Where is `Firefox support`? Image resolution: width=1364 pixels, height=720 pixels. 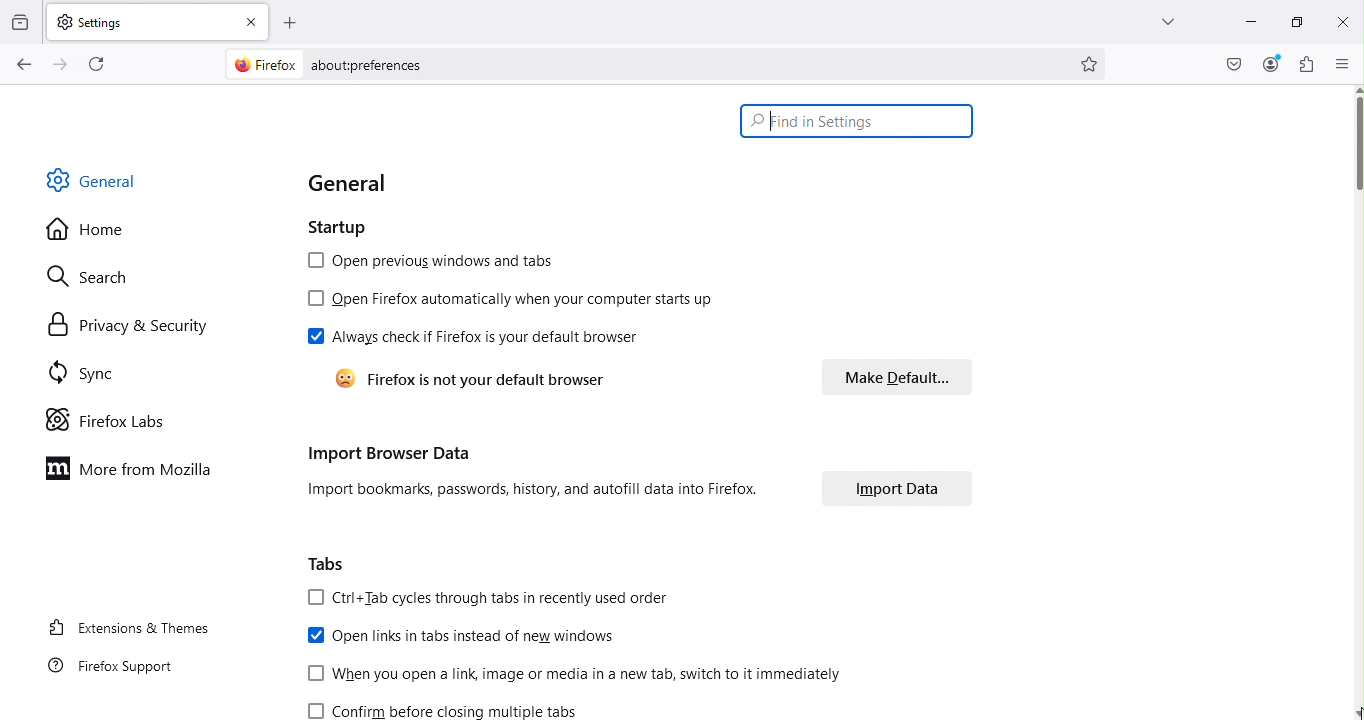 Firefox support is located at coordinates (113, 670).